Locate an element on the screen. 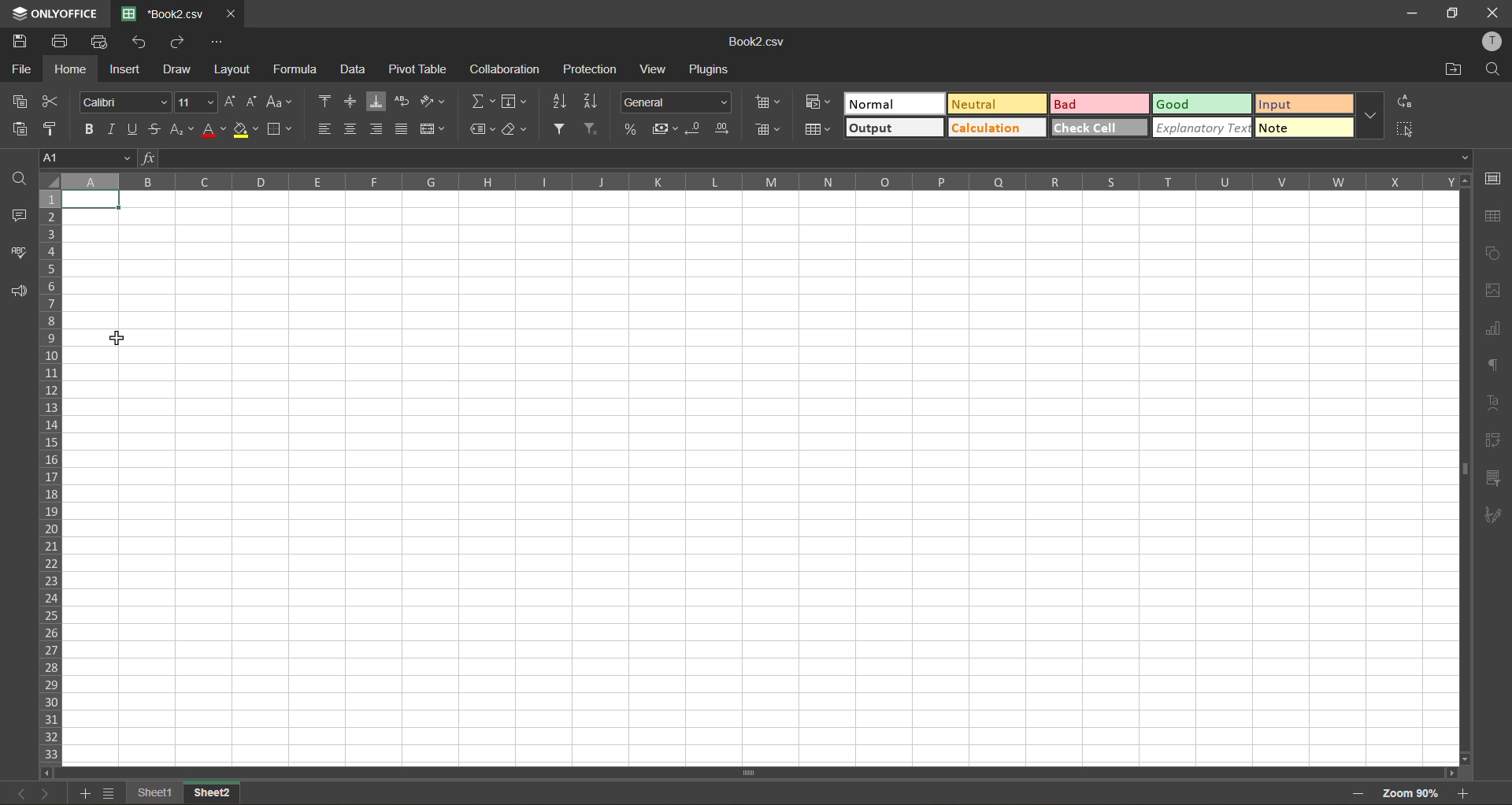  decrease decimal is located at coordinates (695, 131).